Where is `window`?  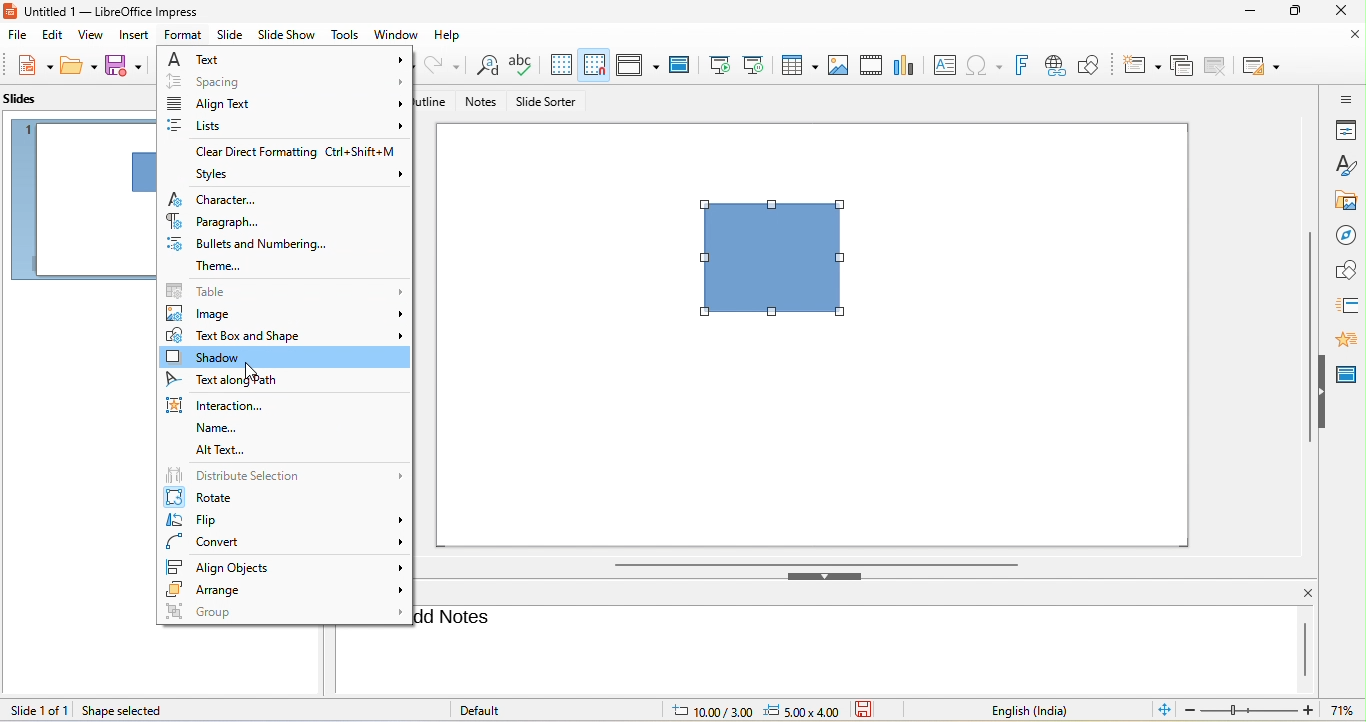 window is located at coordinates (396, 34).